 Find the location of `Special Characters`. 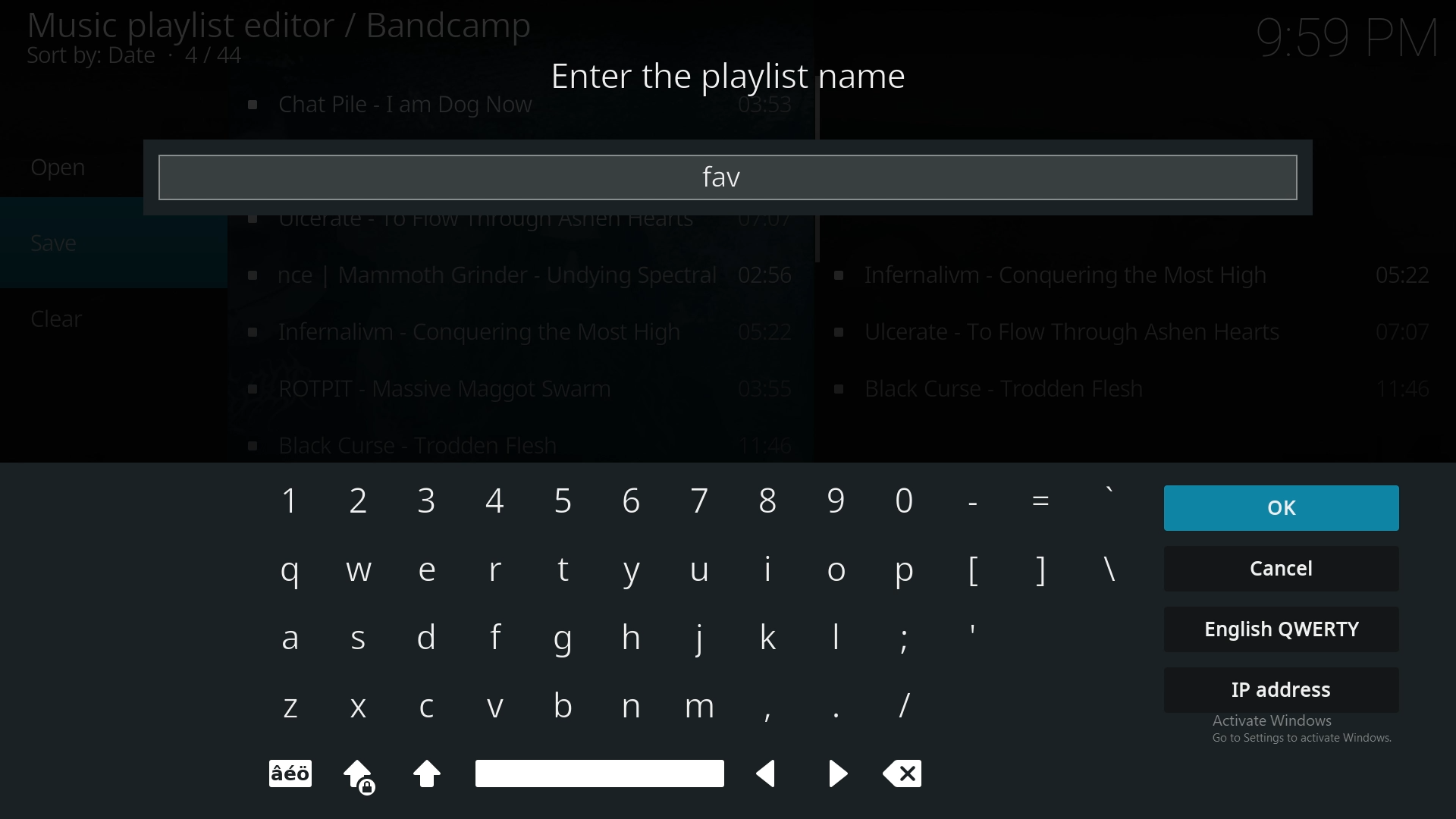

Special Characters is located at coordinates (297, 774).